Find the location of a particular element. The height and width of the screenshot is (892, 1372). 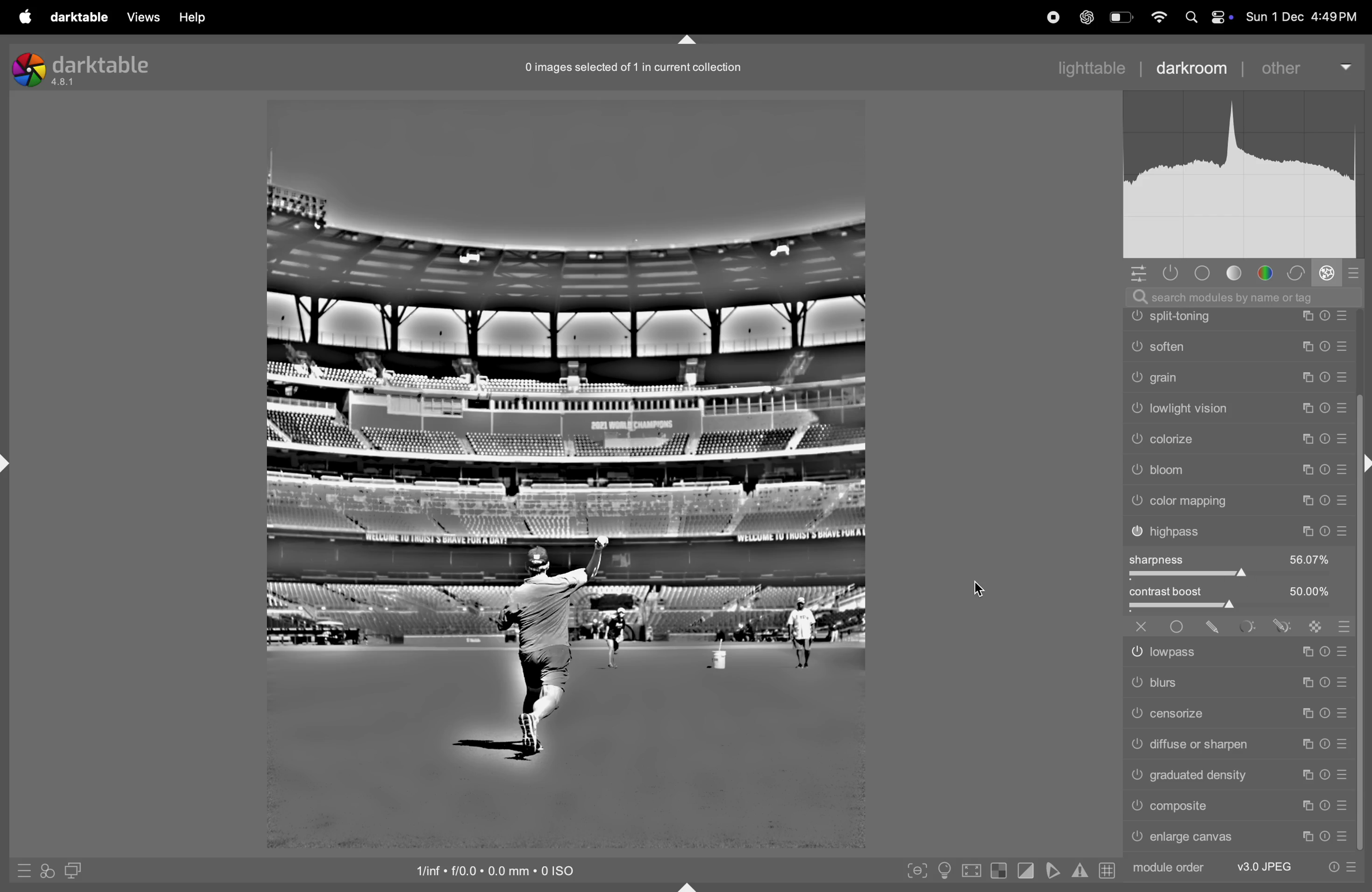

color is located at coordinates (1269, 272).